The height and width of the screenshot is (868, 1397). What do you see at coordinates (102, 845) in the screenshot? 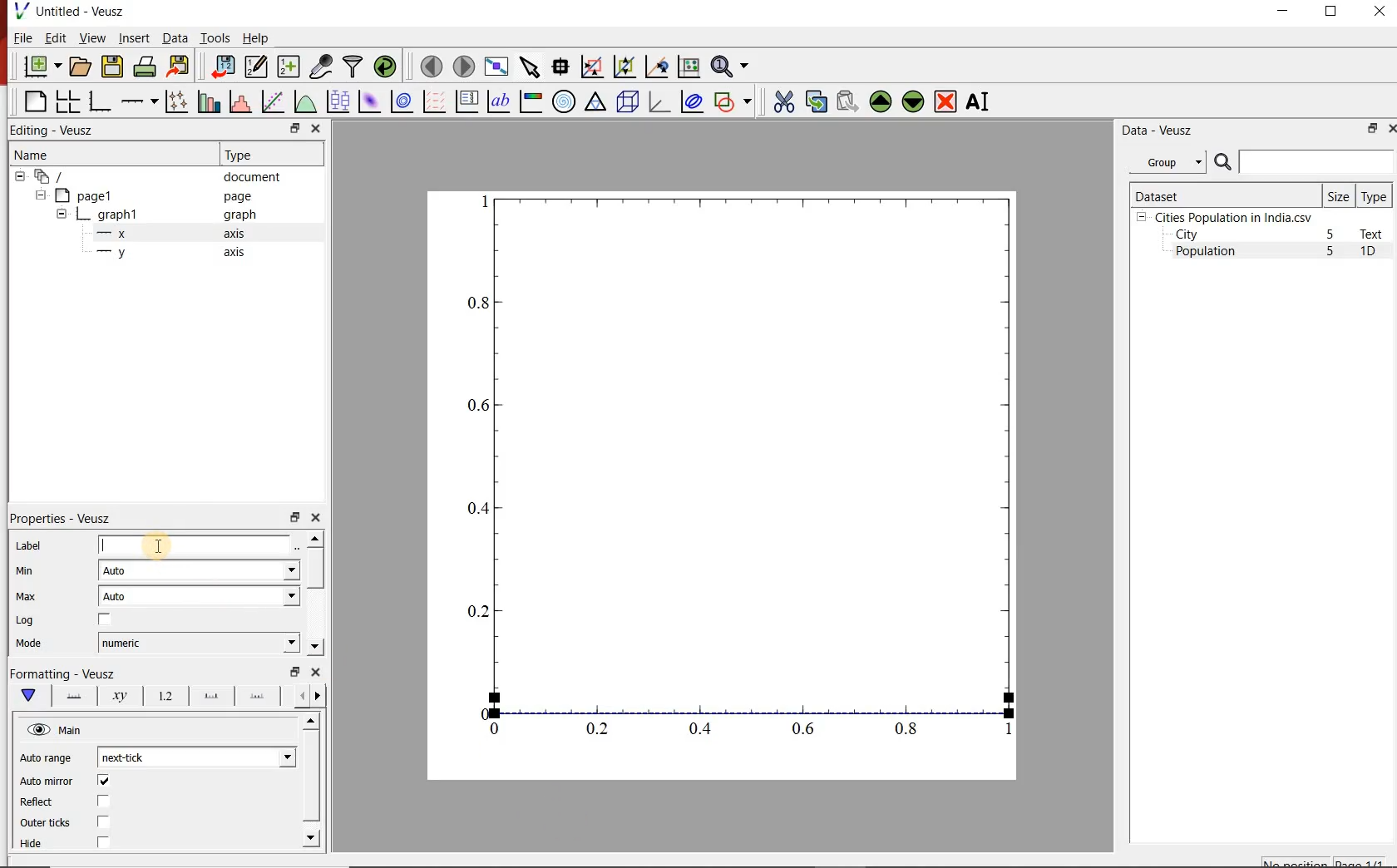
I see `check/uncheck` at bounding box center [102, 845].